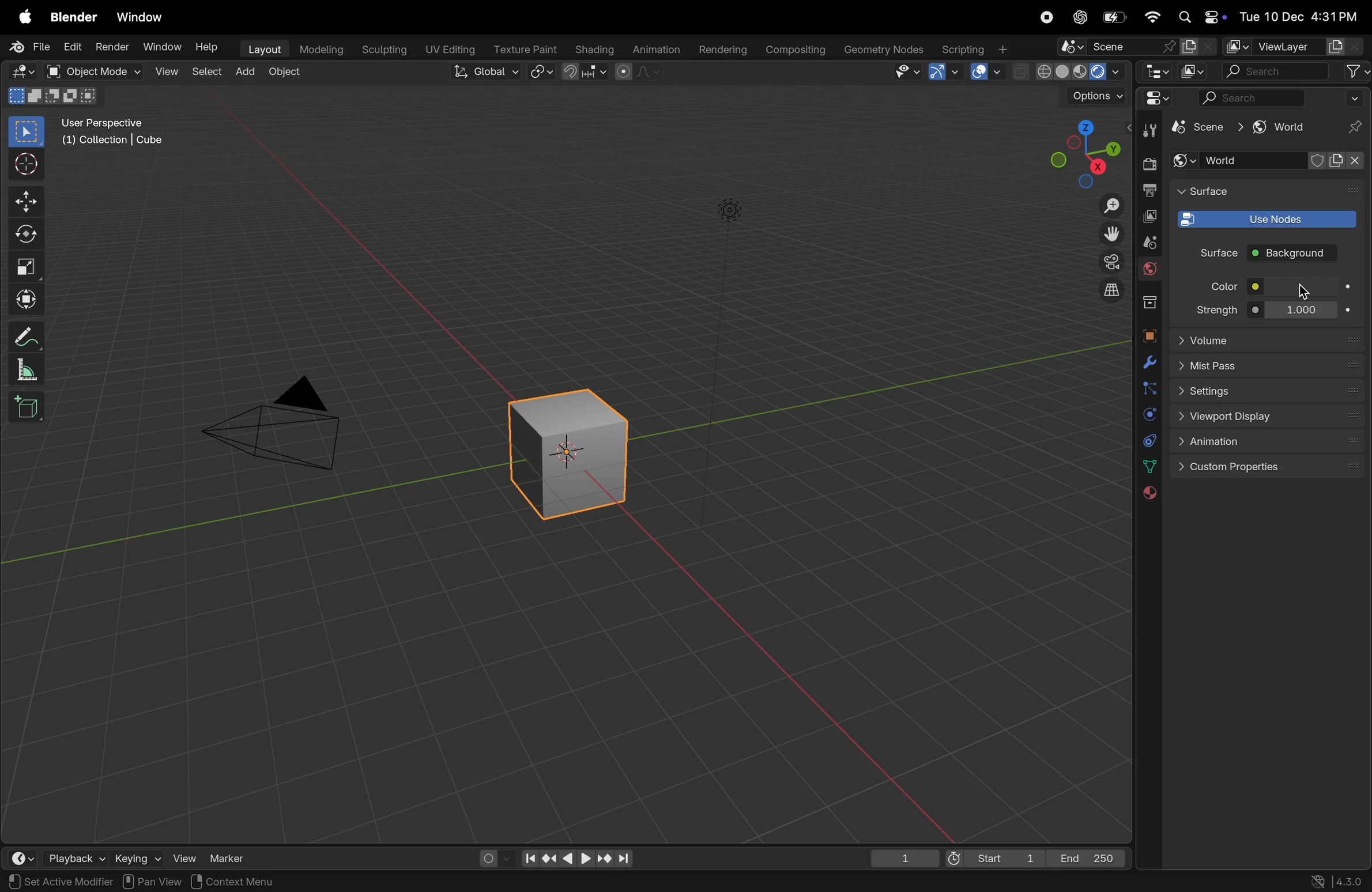  Describe the element at coordinates (1154, 71) in the screenshot. I see `editor mode` at that location.